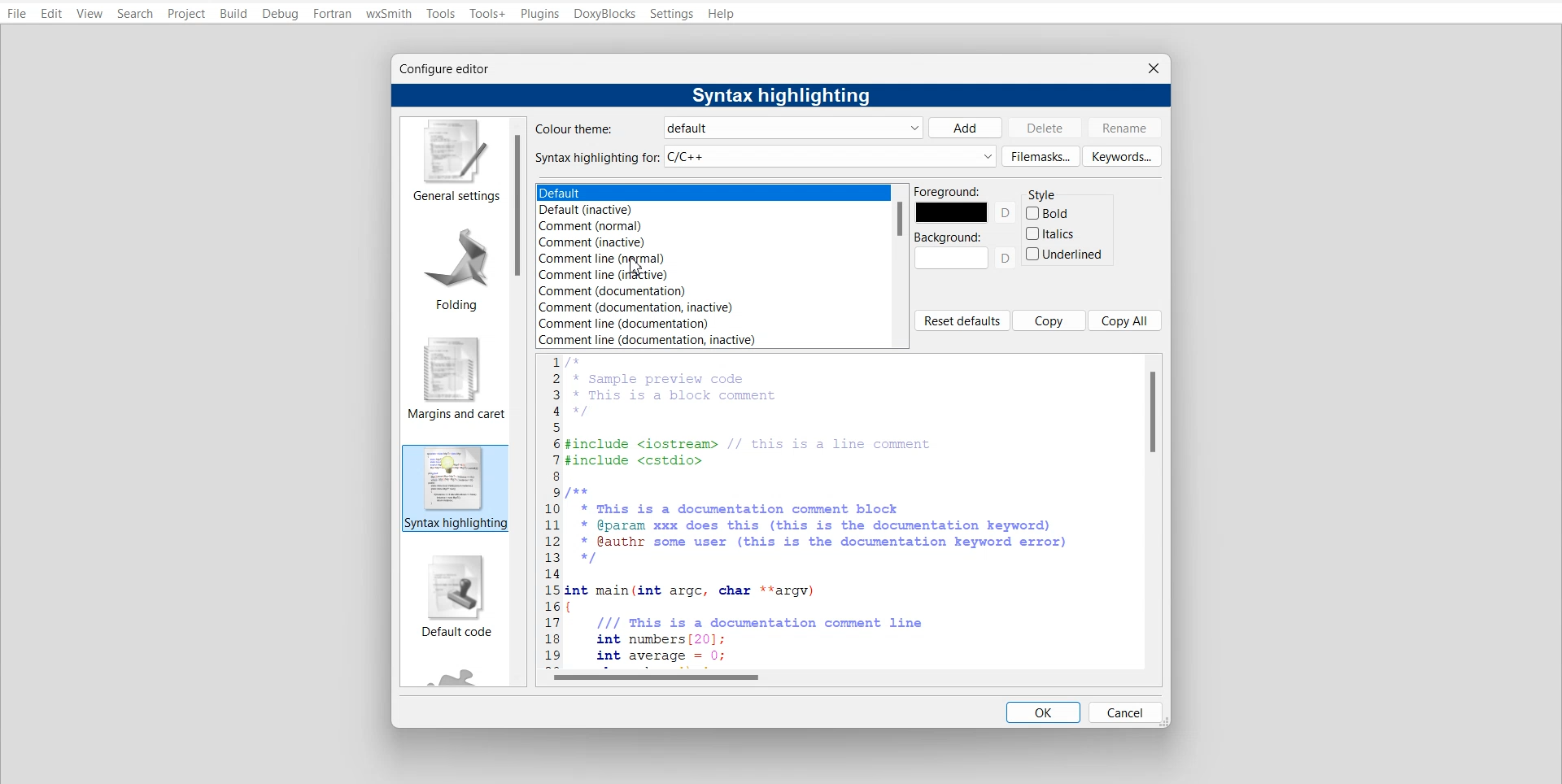 The height and width of the screenshot is (784, 1562). I want to click on View, so click(89, 14).